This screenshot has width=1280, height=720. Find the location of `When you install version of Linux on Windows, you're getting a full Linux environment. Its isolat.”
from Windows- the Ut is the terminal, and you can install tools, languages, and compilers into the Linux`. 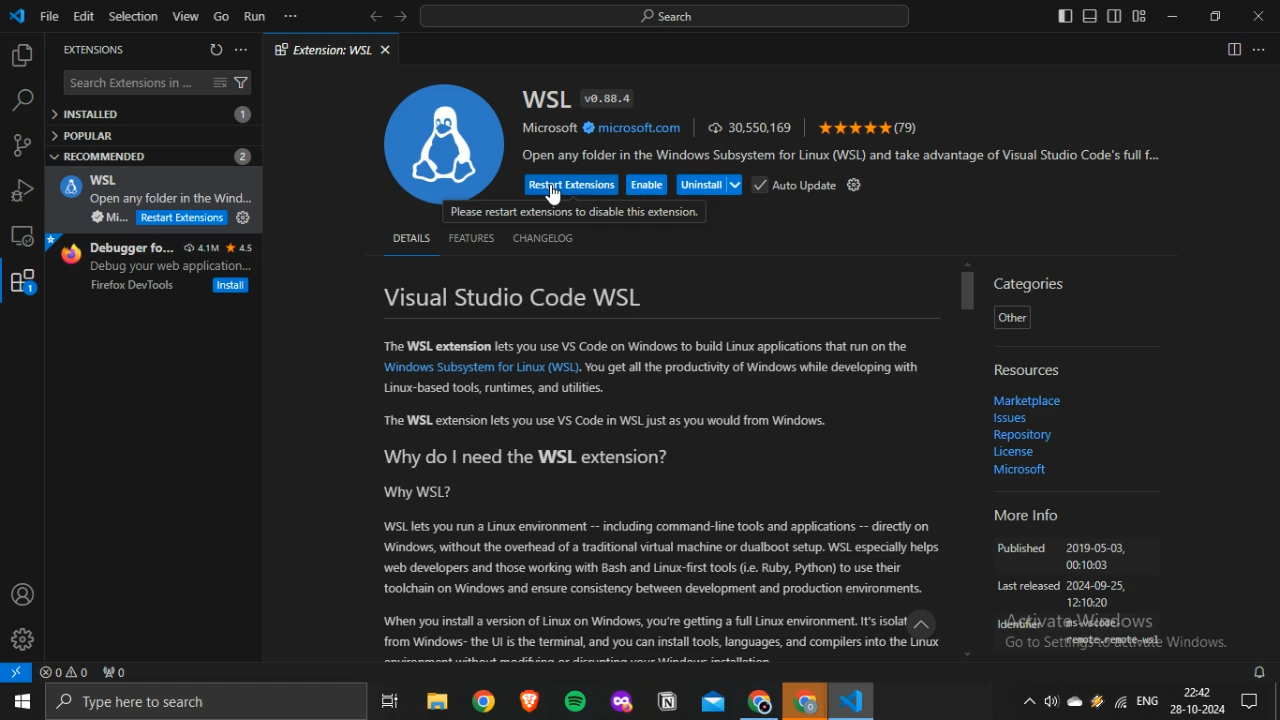

When you install version of Linux on Windows, you're getting a full Linux environment. Its isolat.”
from Windows- the Ut is the terminal, and you can install tools, languages, and compilers into the Linux is located at coordinates (668, 635).